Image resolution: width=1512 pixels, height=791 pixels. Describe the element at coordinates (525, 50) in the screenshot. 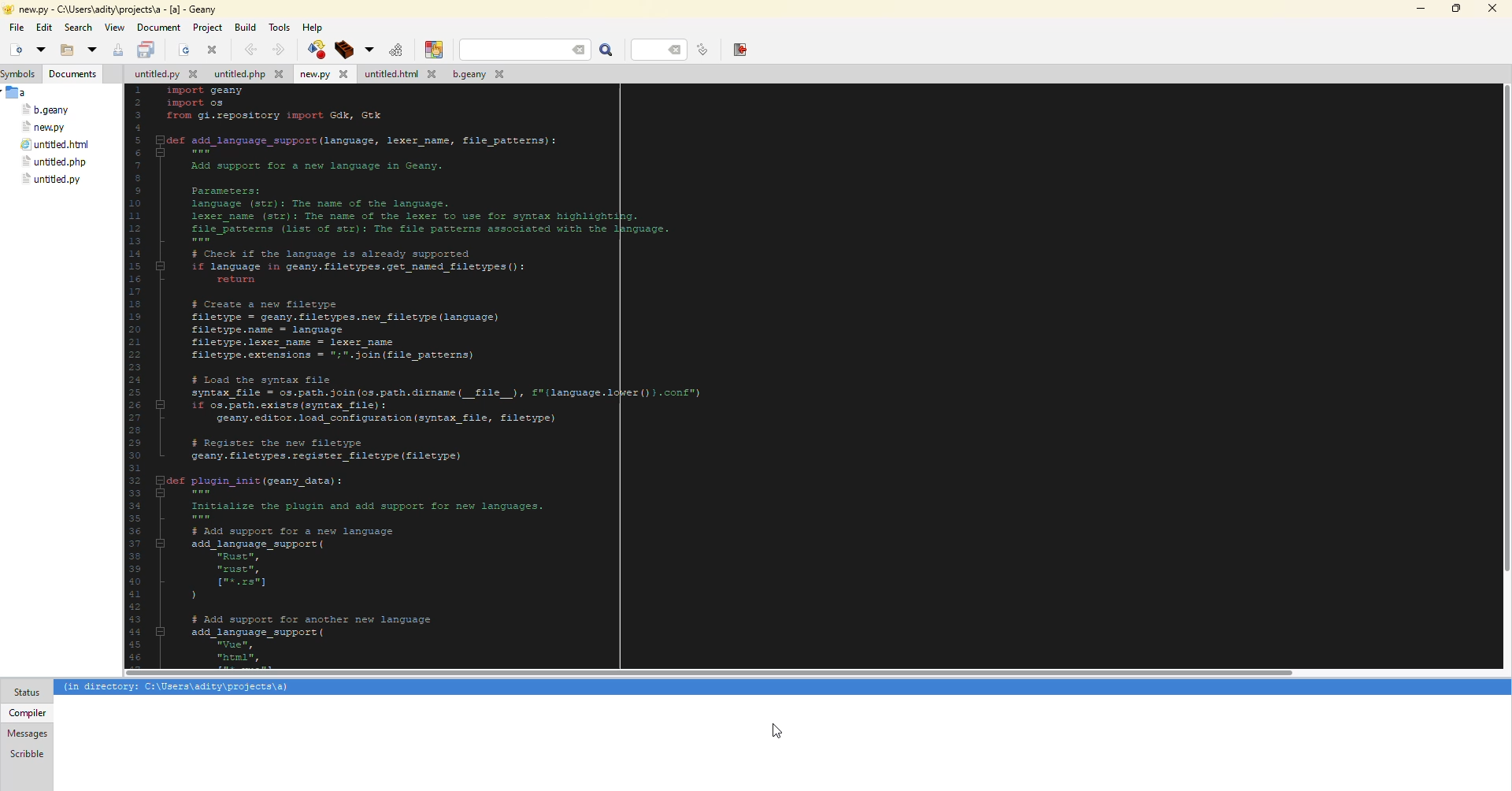

I see `search` at that location.